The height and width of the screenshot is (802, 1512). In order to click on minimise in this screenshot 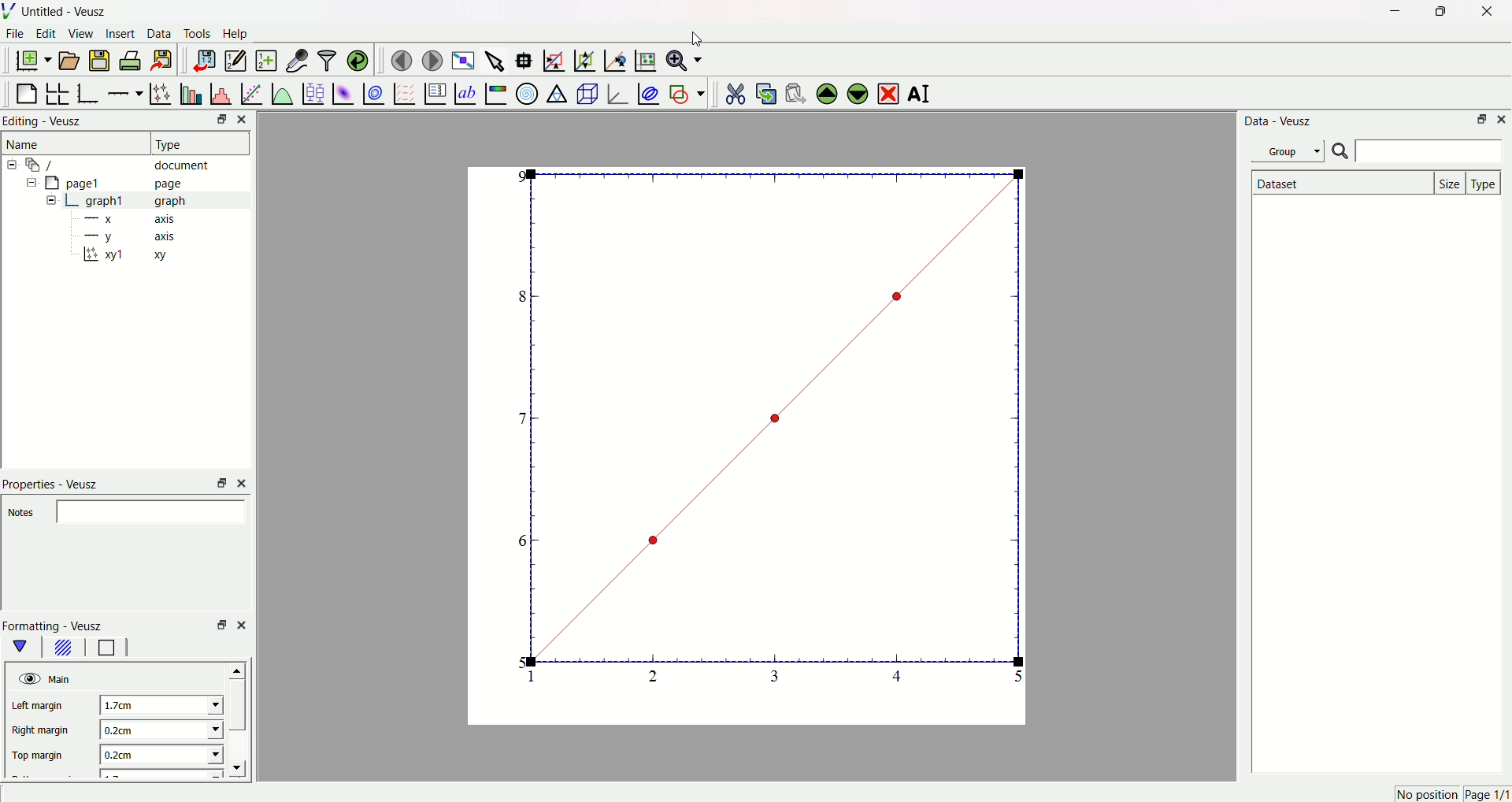, I will do `click(217, 482)`.